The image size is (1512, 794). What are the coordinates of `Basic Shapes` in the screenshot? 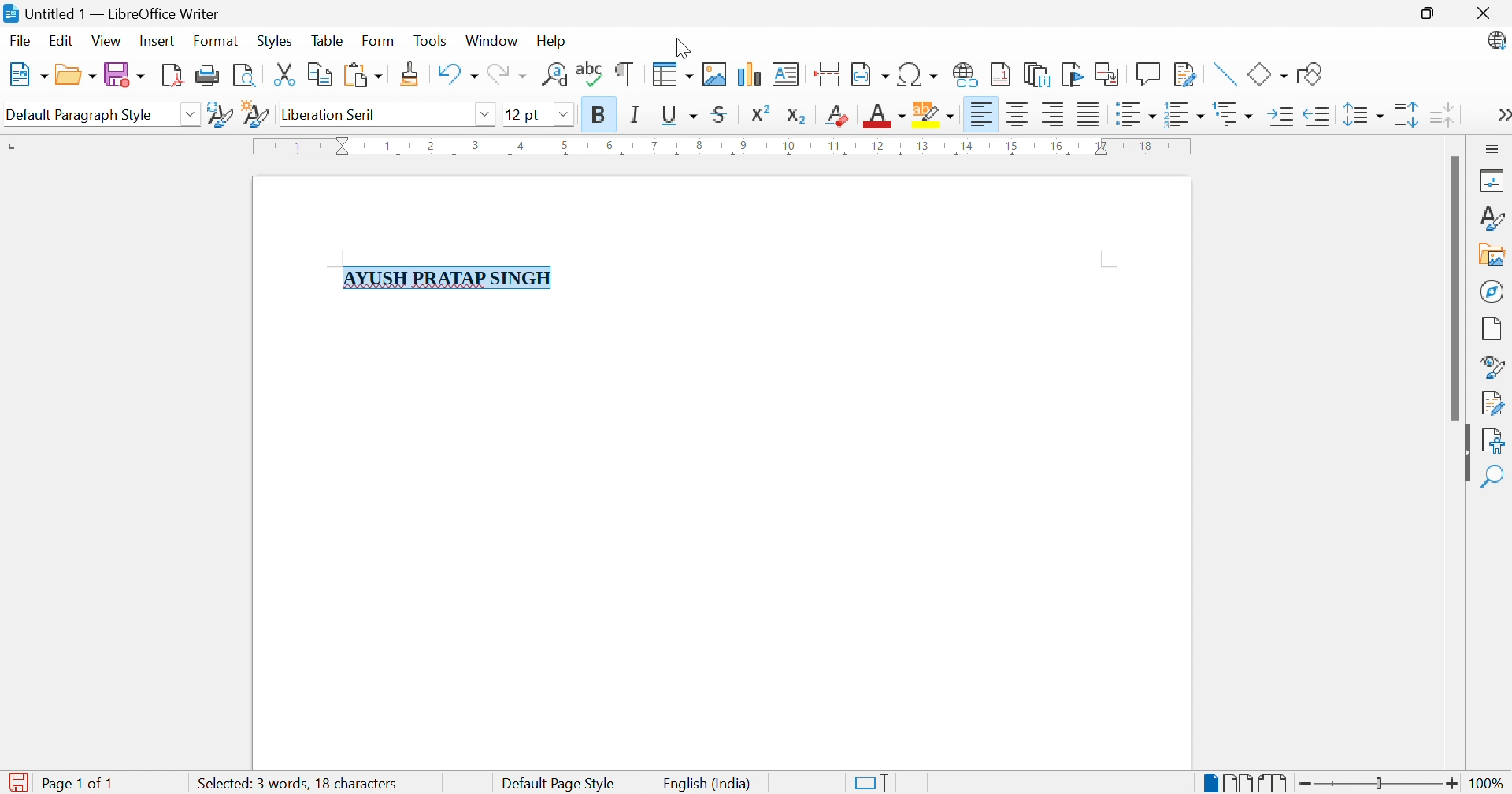 It's located at (1267, 72).